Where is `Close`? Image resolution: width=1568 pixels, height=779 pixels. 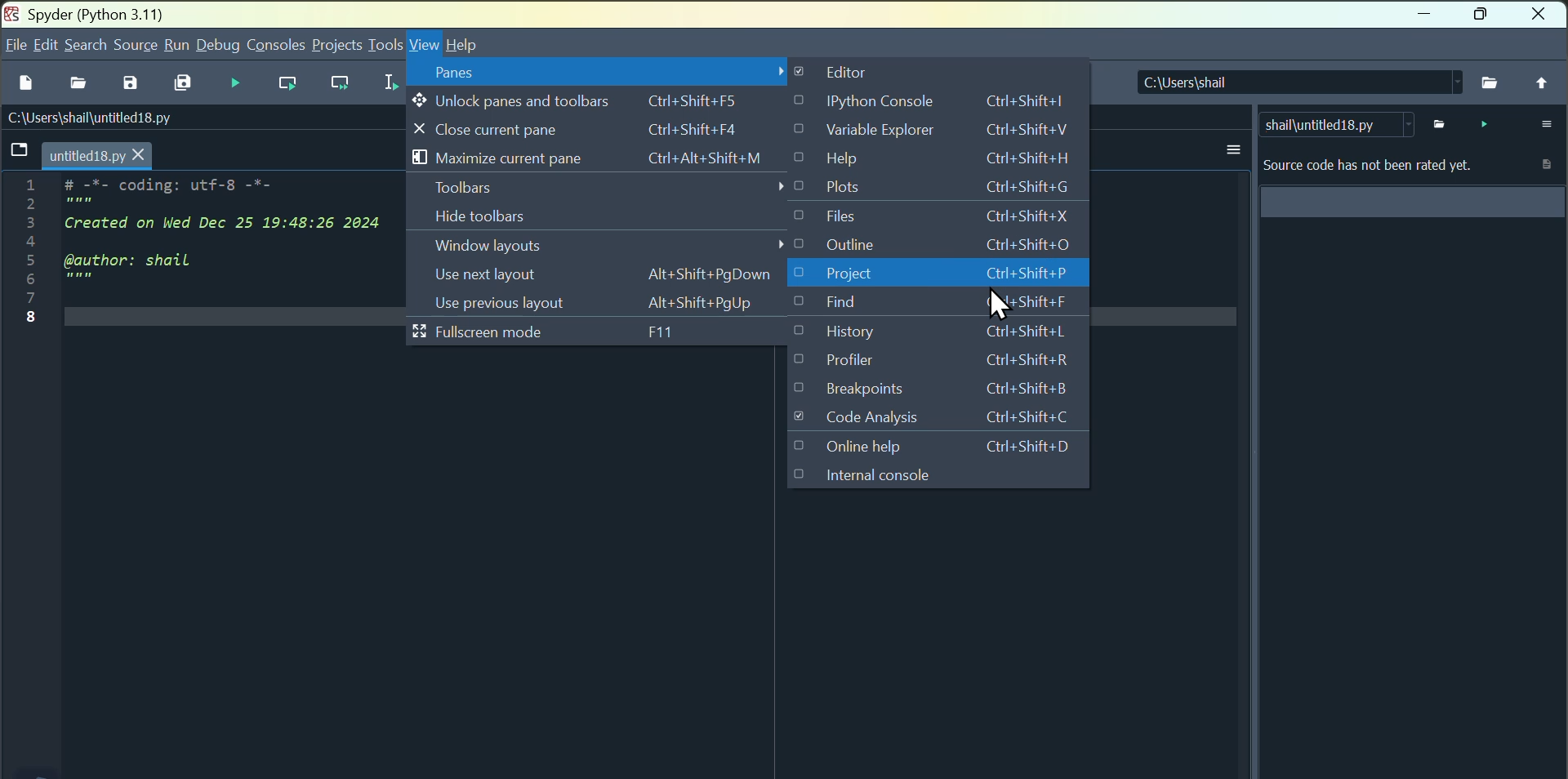 Close is located at coordinates (1545, 19).